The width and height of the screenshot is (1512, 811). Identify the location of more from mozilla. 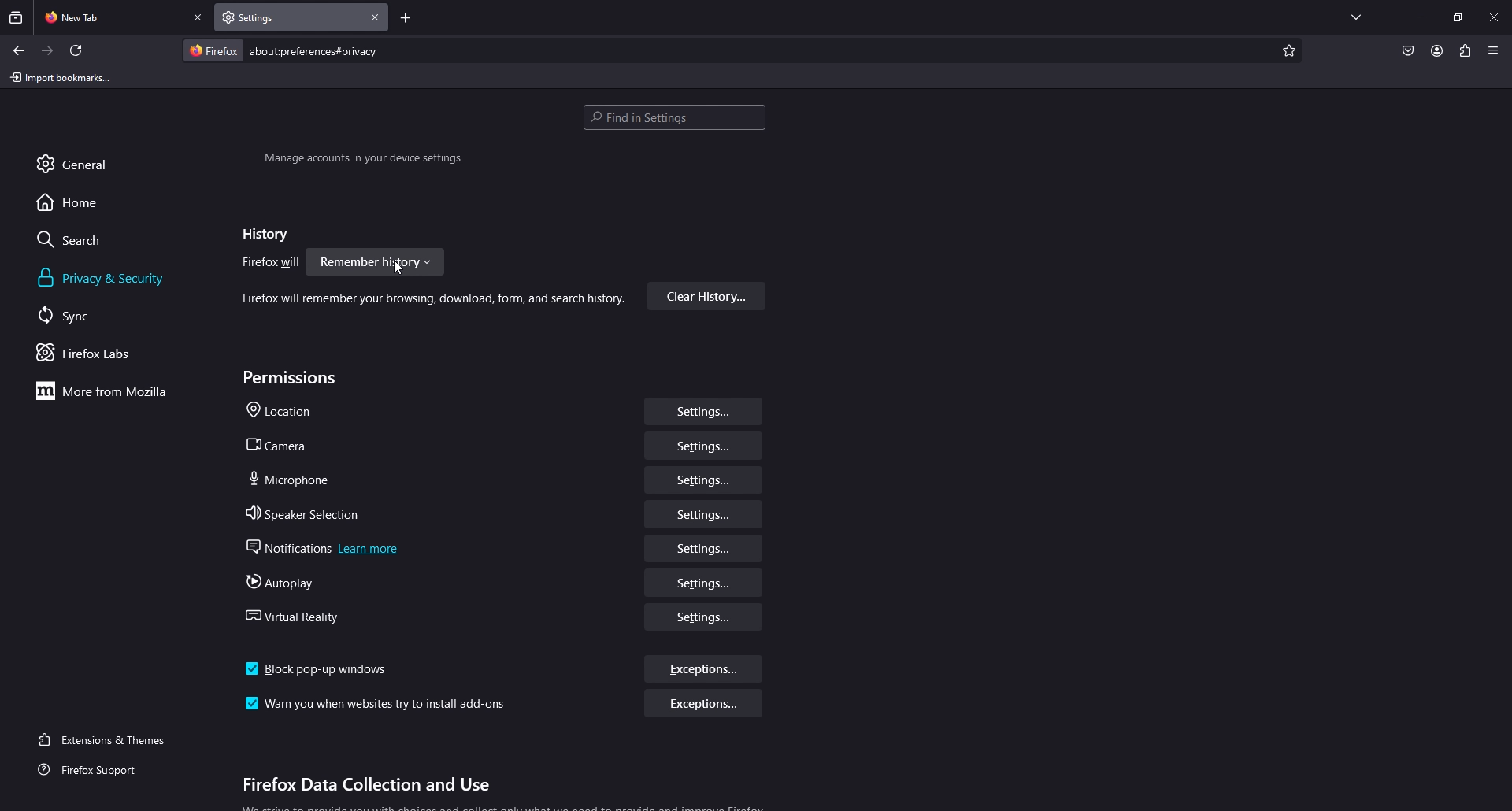
(110, 391).